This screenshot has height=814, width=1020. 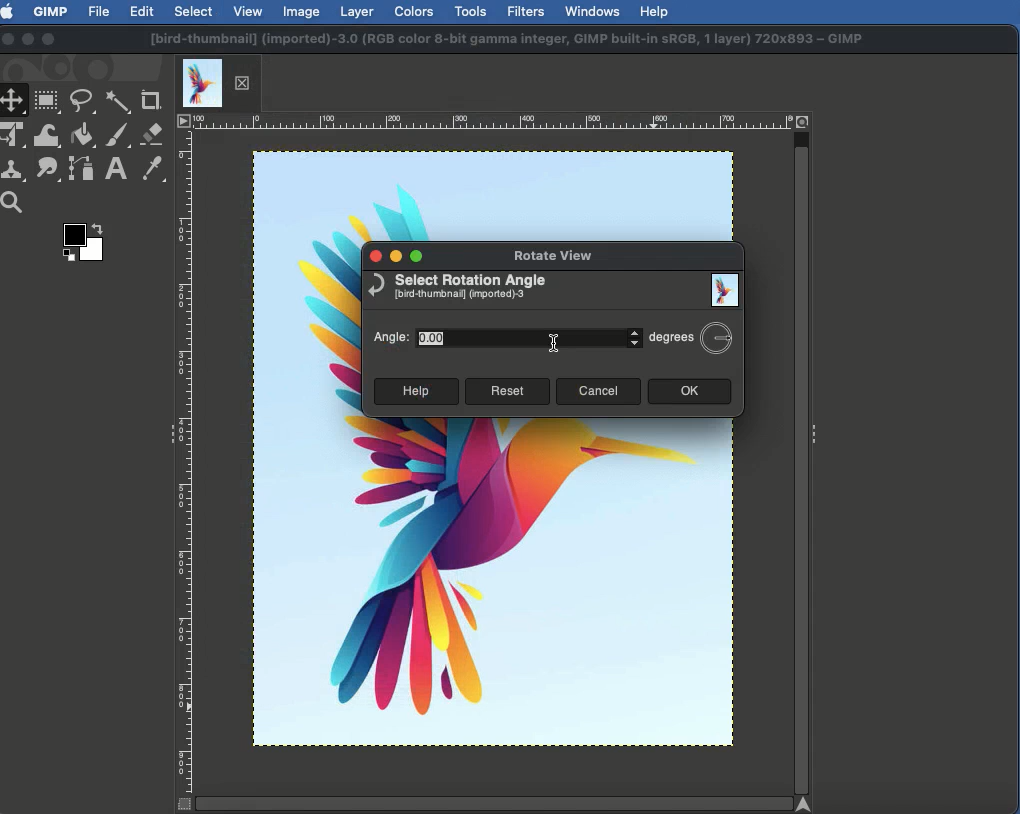 What do you see at coordinates (727, 291) in the screenshot?
I see `Image` at bounding box center [727, 291].